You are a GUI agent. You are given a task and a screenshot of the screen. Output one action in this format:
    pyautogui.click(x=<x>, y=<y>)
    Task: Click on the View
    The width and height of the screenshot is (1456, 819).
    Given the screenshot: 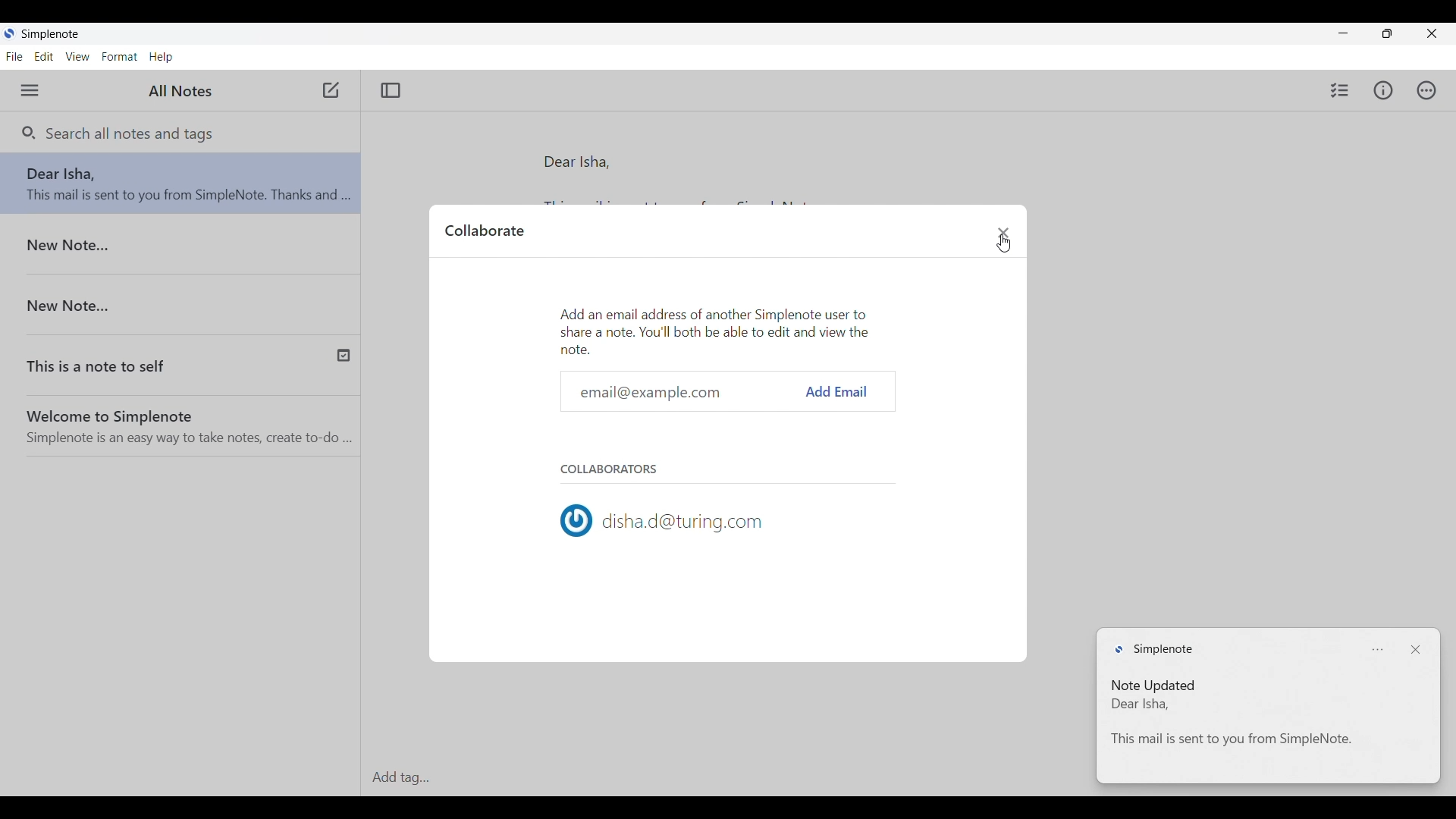 What is the action you would take?
    pyautogui.click(x=78, y=56)
    